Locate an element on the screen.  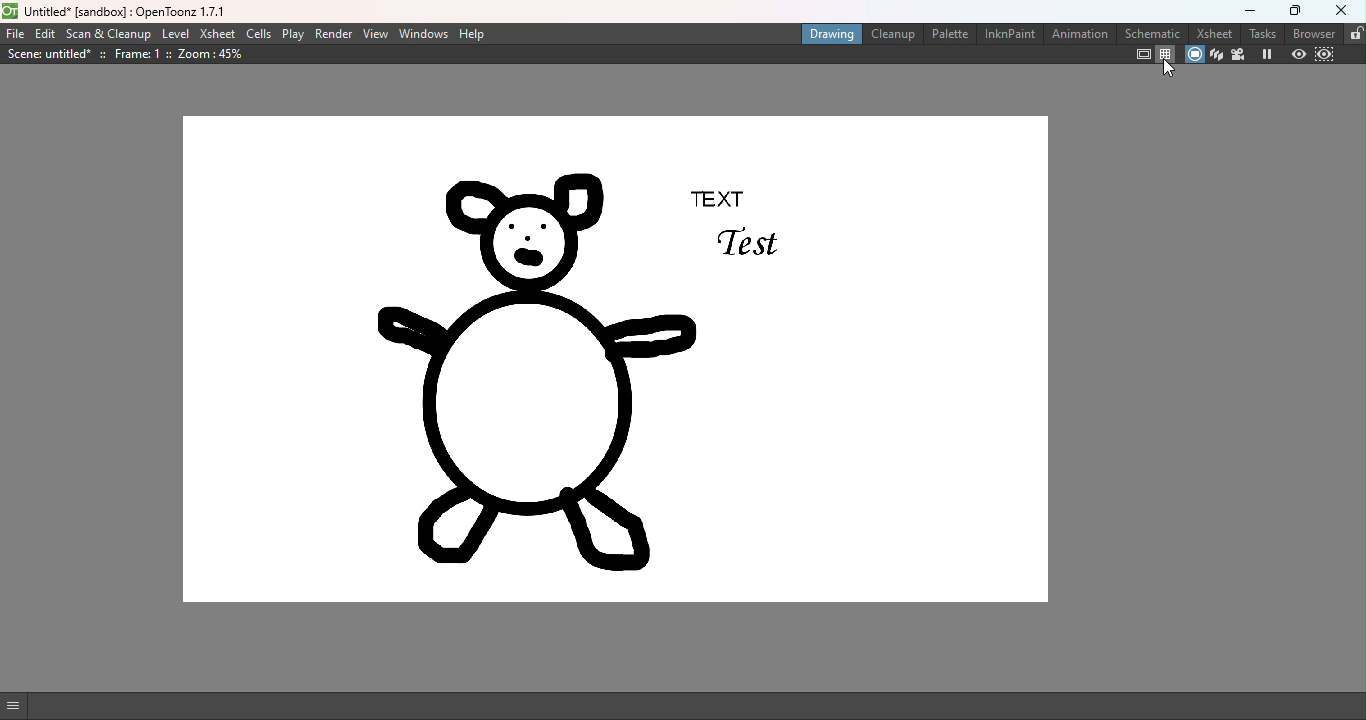
Browser is located at coordinates (1311, 32).